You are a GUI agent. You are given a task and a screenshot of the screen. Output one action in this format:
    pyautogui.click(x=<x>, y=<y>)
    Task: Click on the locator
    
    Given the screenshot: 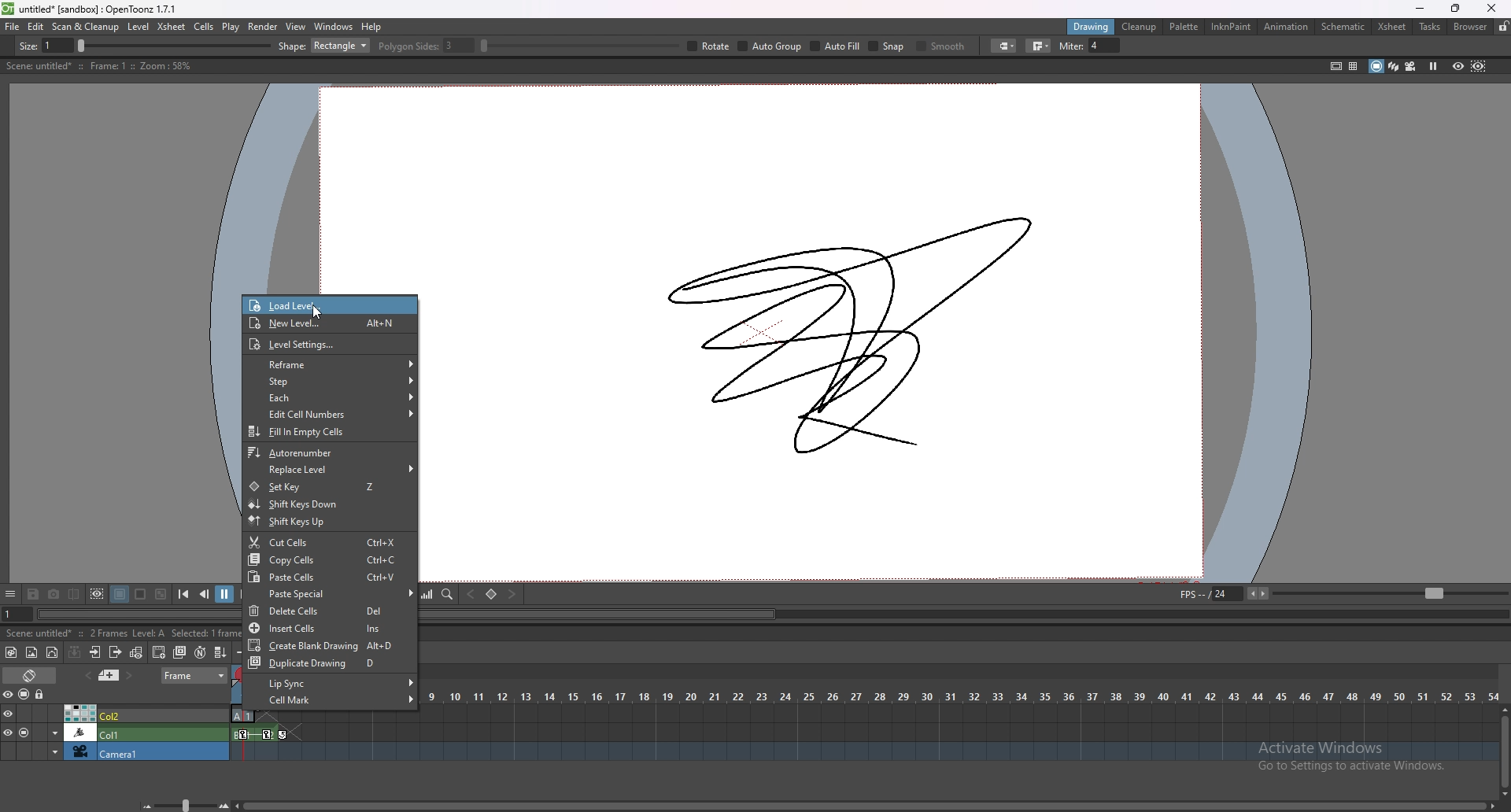 What is the action you would take?
    pyautogui.click(x=448, y=593)
    